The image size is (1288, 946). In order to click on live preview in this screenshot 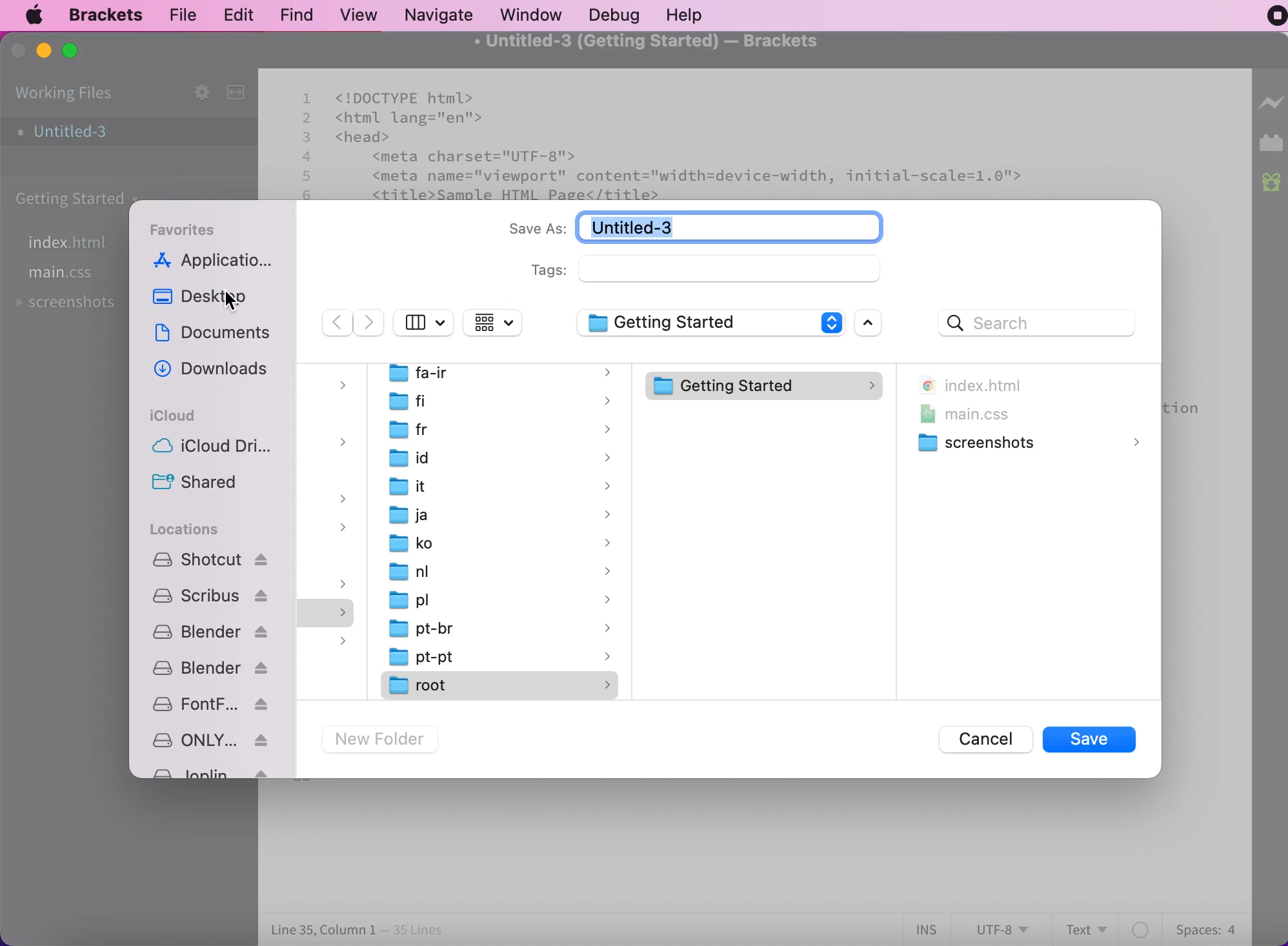, I will do `click(1269, 103)`.